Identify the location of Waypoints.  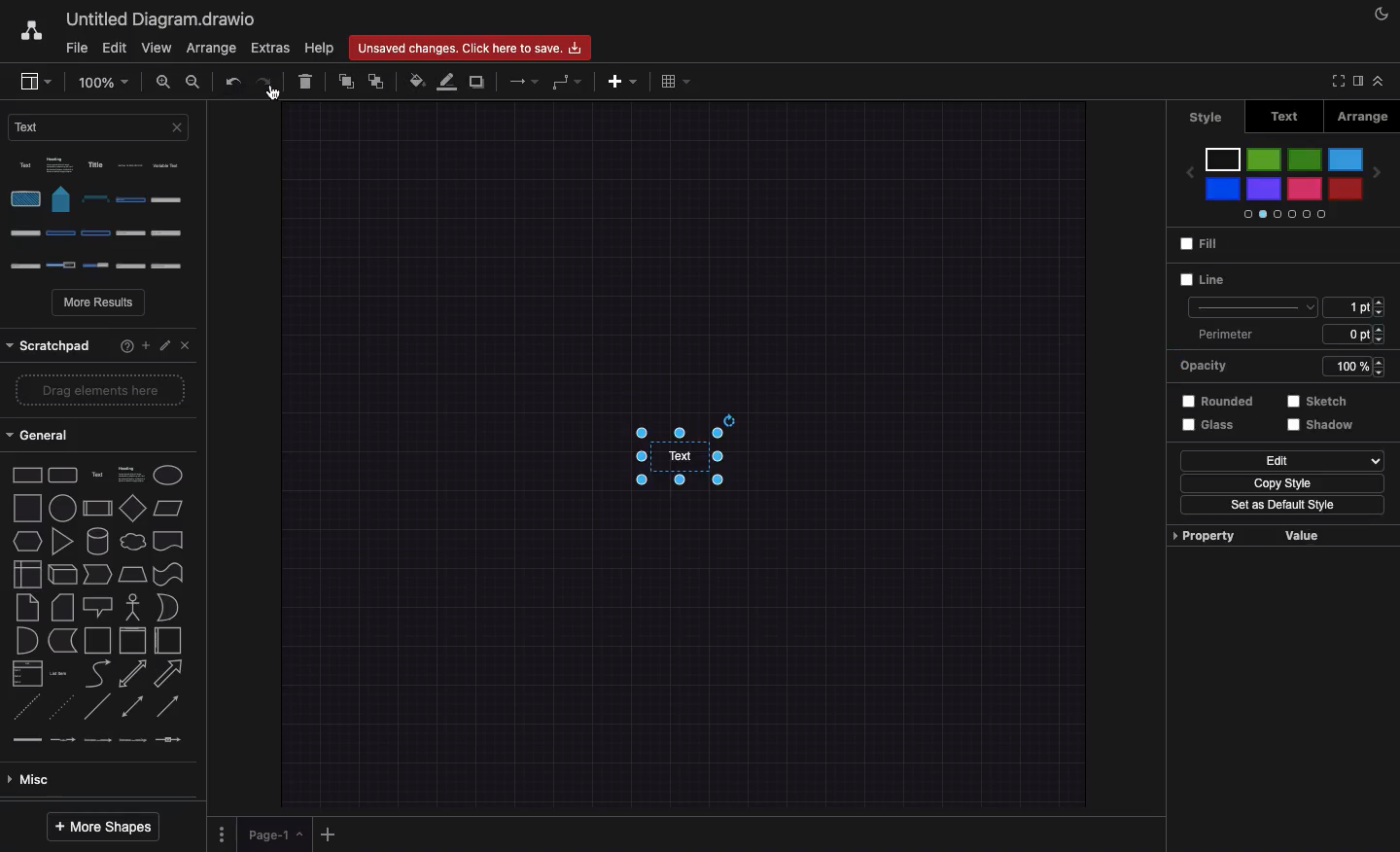
(567, 84).